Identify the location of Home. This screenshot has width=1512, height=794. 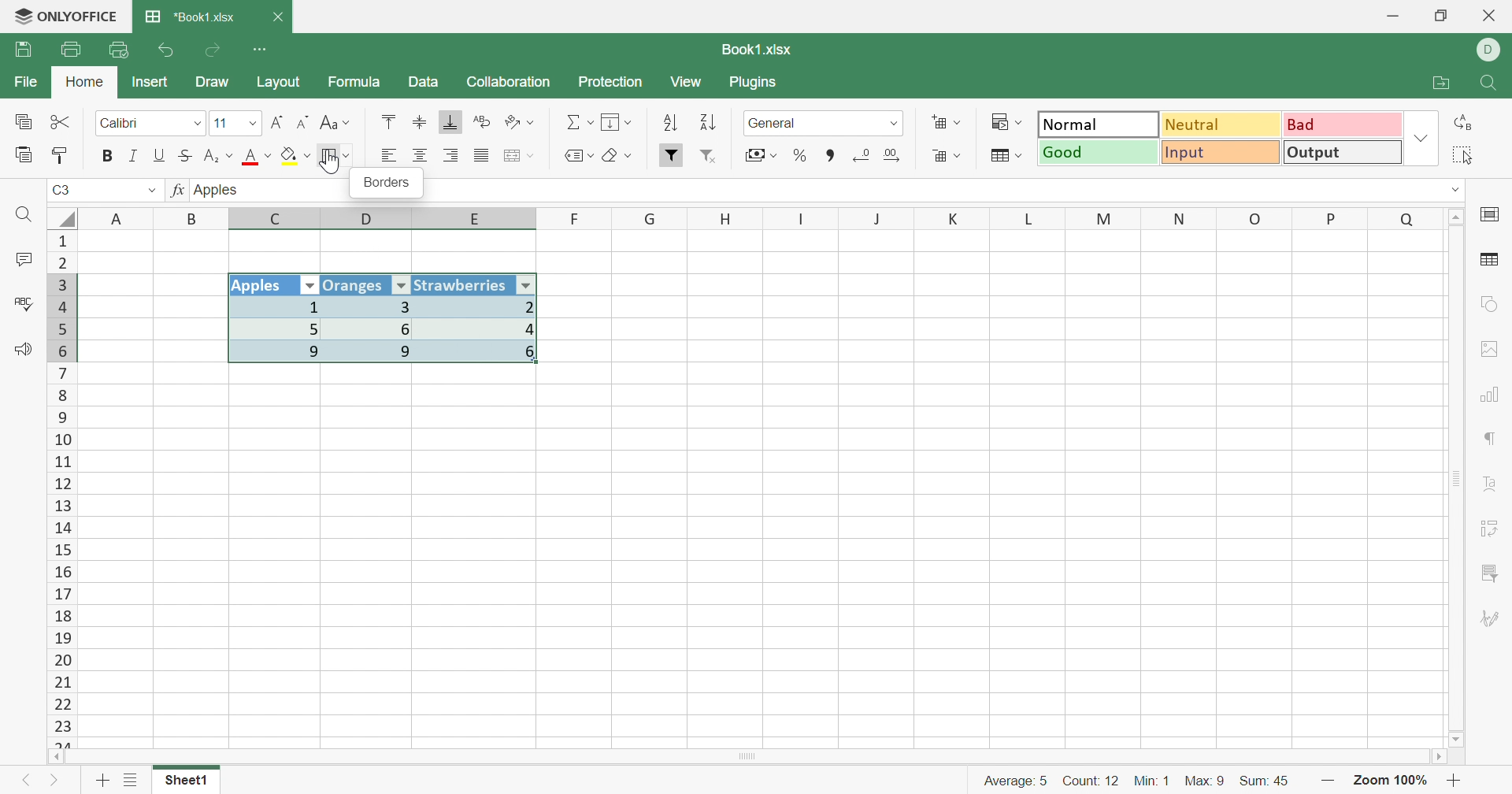
(84, 83).